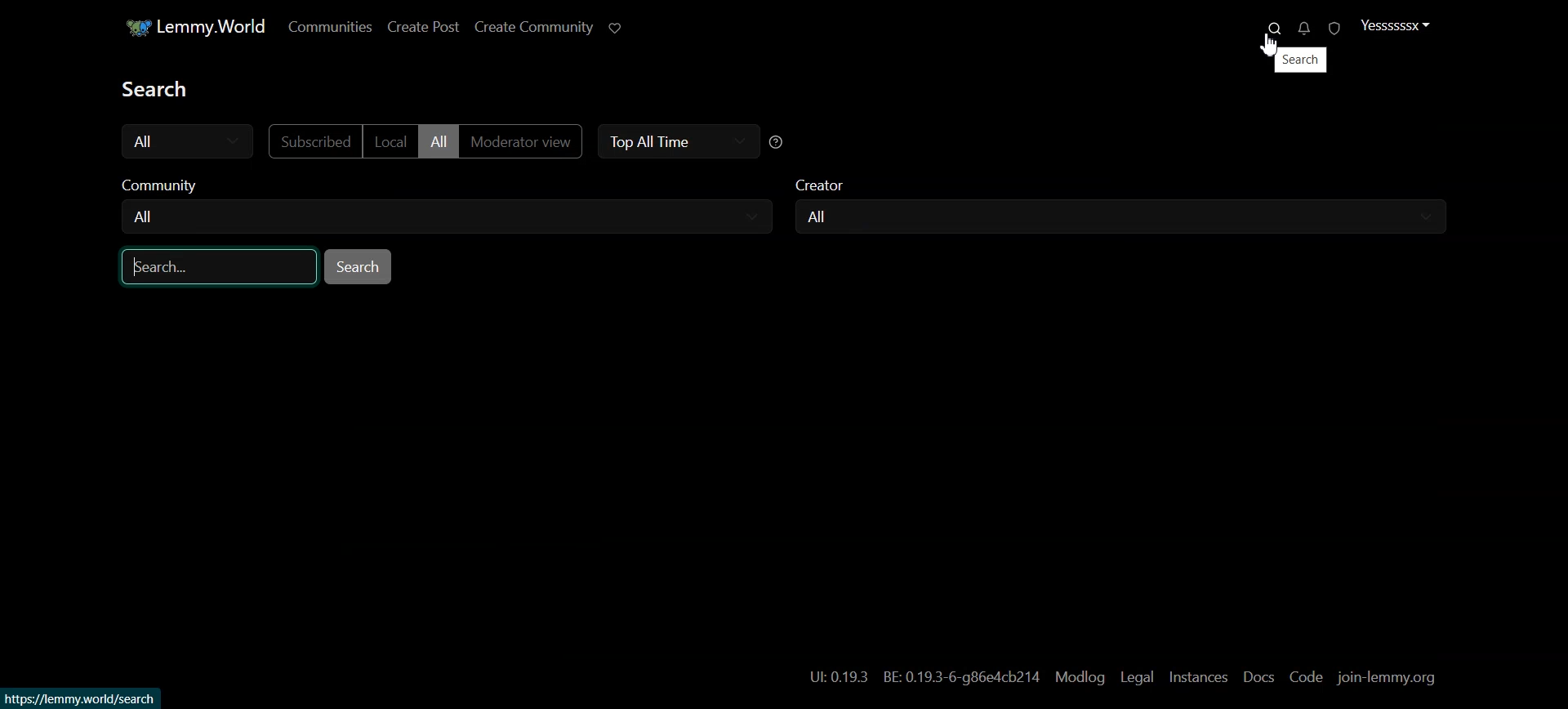 This screenshot has height=709, width=1568. Describe the element at coordinates (152, 88) in the screenshot. I see `Text` at that location.